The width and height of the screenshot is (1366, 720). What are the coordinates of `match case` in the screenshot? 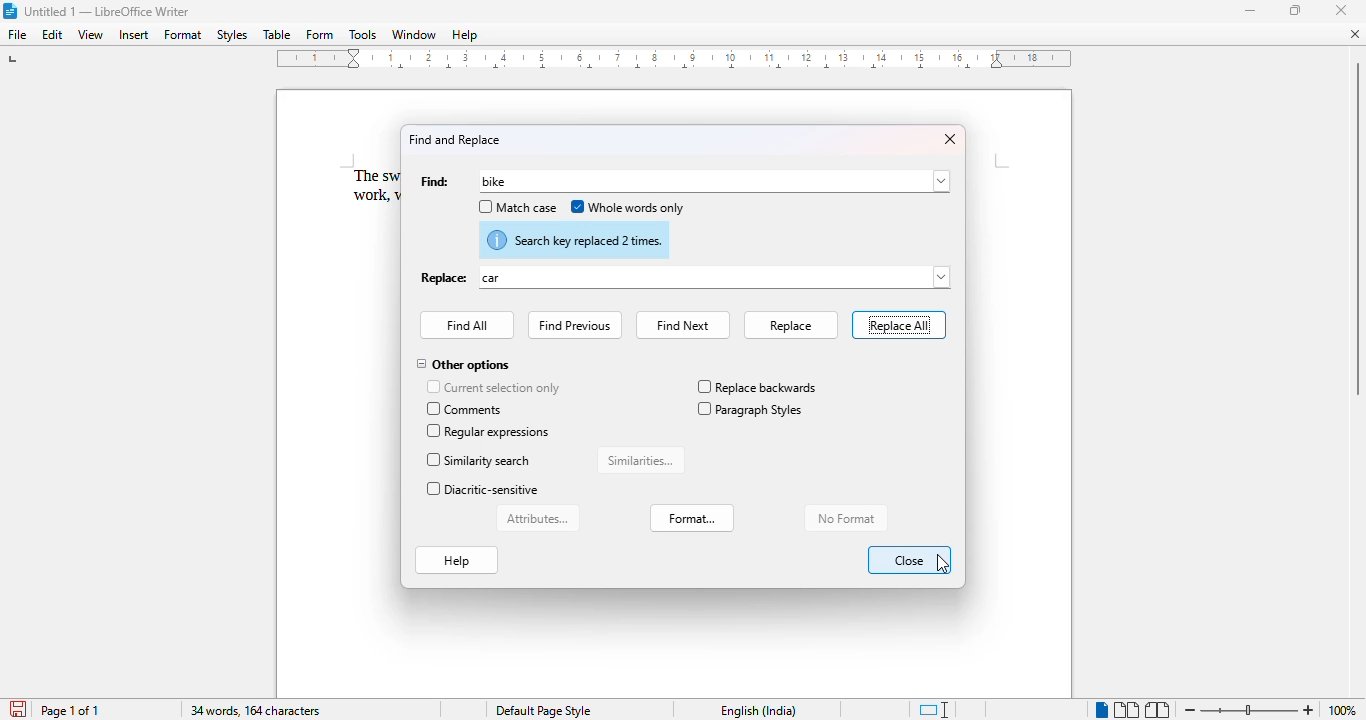 It's located at (517, 207).